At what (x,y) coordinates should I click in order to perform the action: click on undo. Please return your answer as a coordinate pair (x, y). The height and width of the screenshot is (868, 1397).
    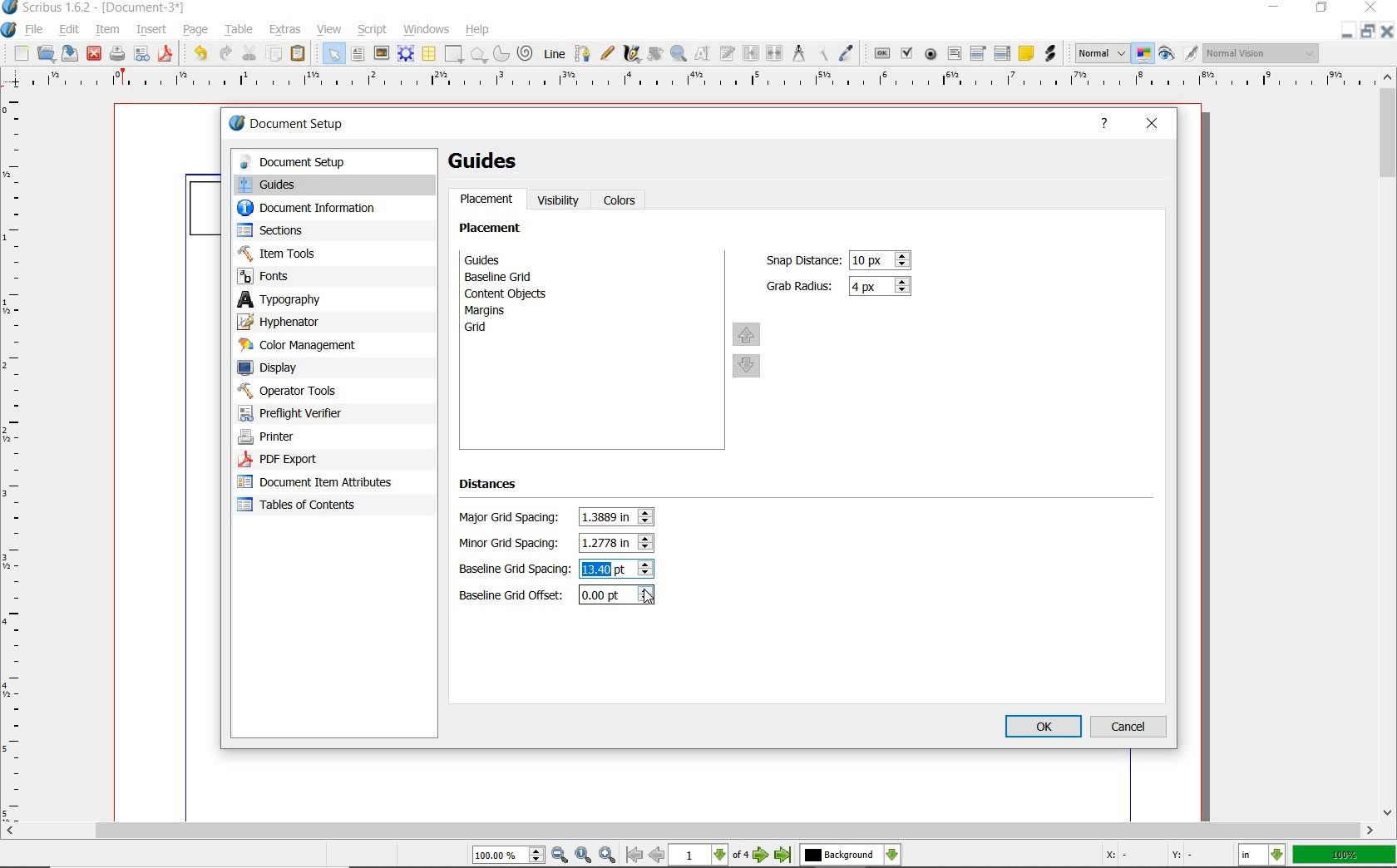
    Looking at the image, I should click on (198, 54).